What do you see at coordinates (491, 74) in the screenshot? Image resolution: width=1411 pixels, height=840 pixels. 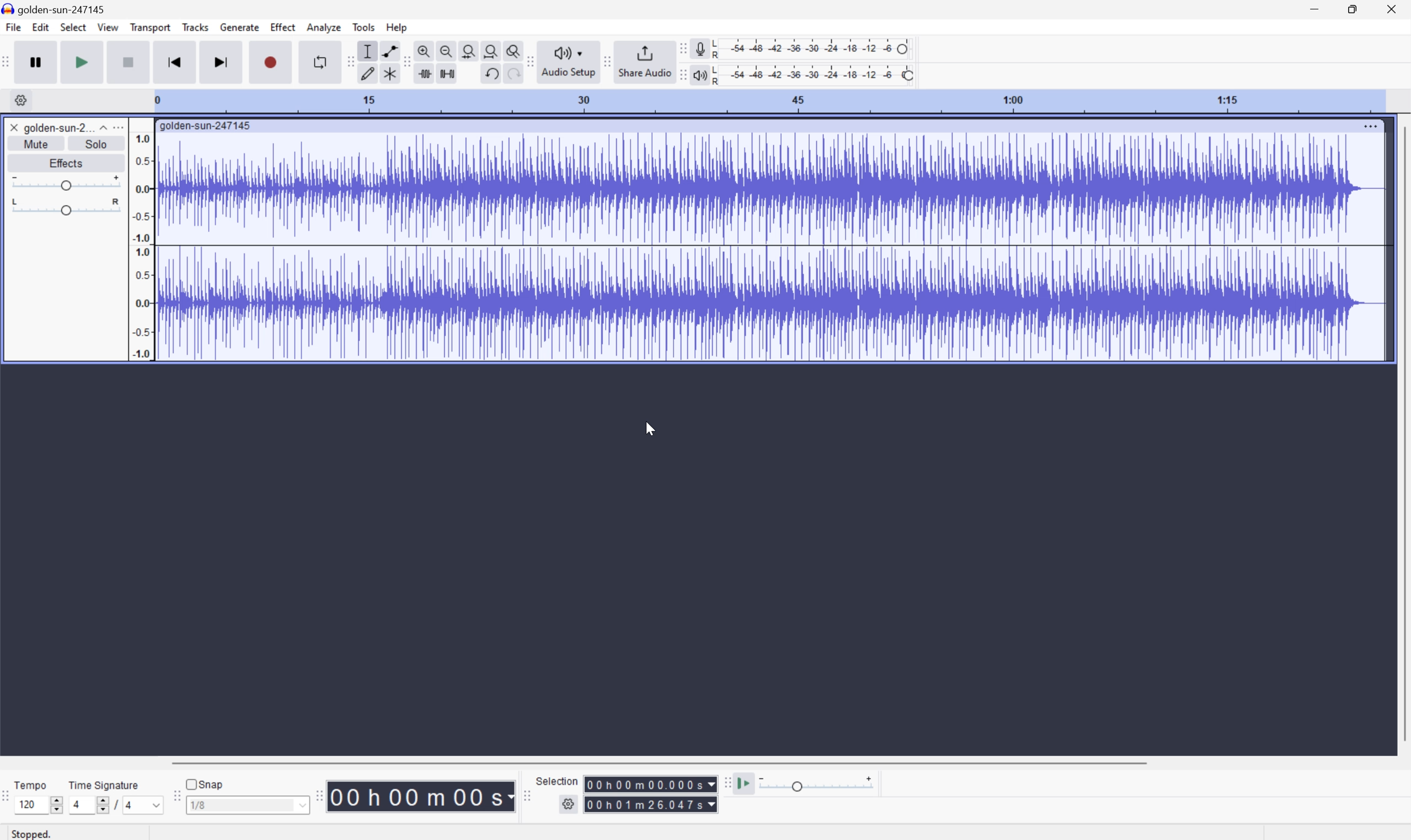 I see `Undo` at bounding box center [491, 74].